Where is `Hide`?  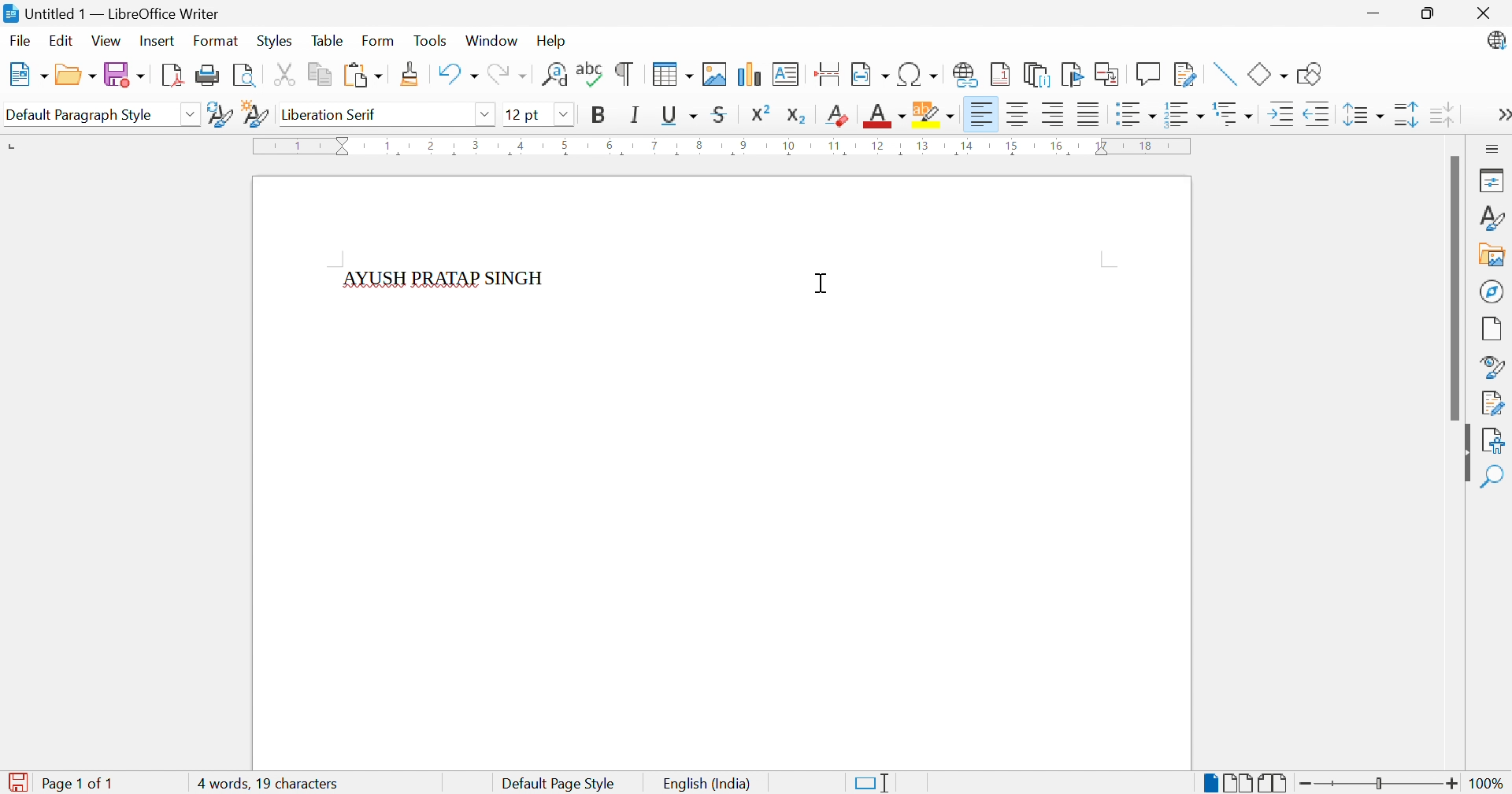 Hide is located at coordinates (1466, 460).